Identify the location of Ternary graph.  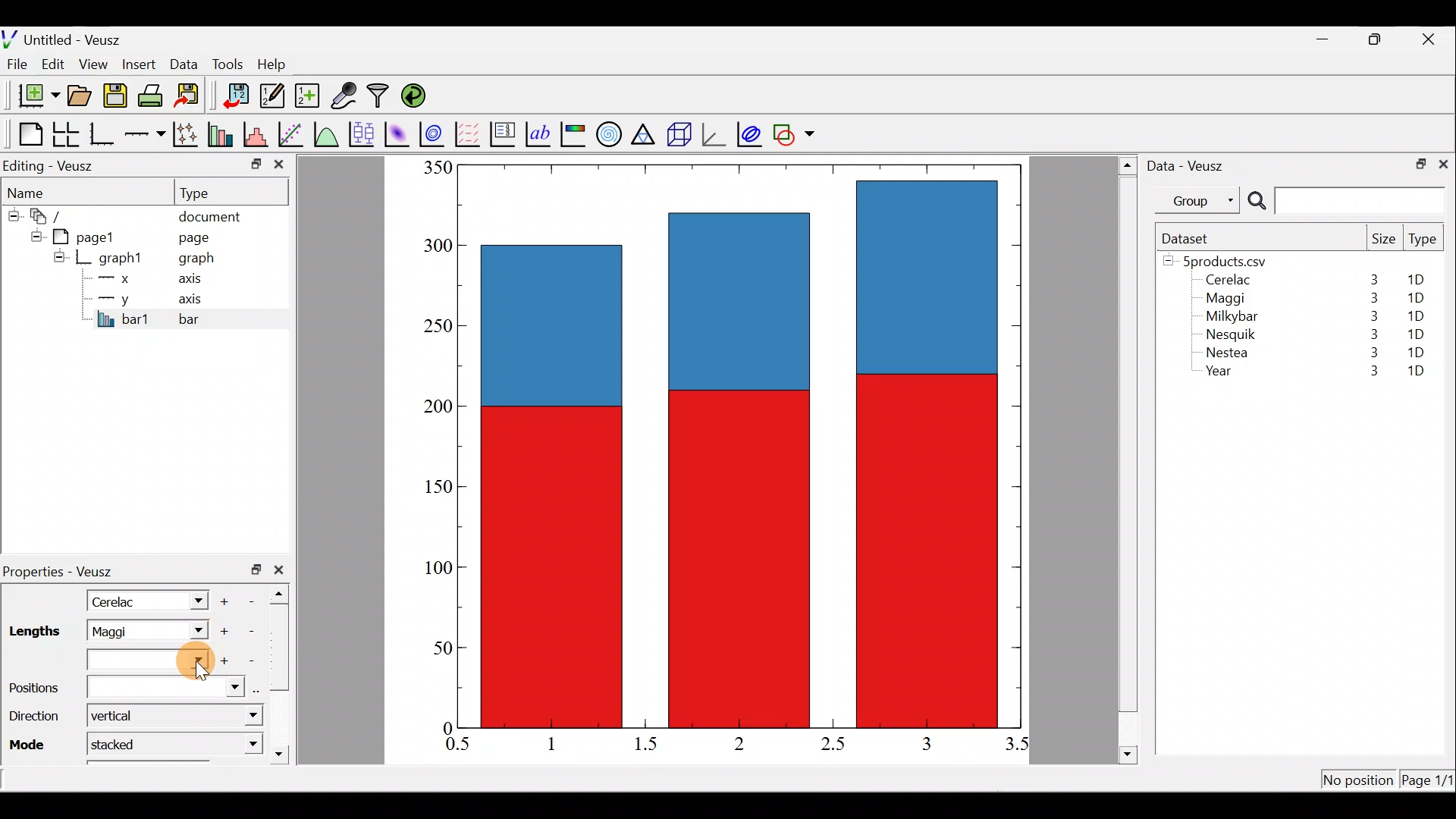
(645, 132).